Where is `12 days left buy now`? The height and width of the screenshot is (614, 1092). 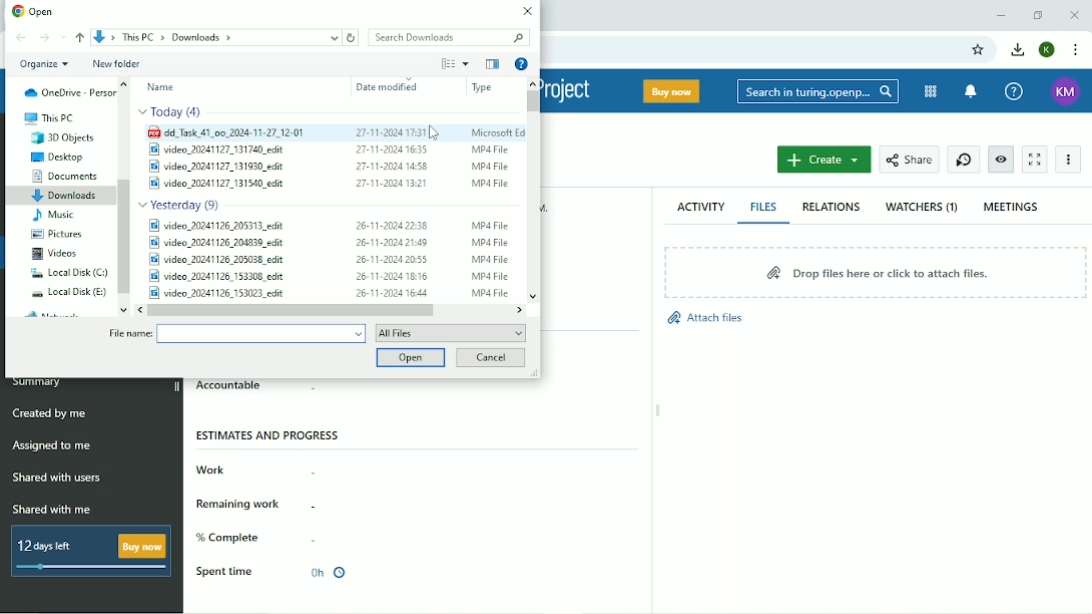 12 days left buy now is located at coordinates (87, 551).